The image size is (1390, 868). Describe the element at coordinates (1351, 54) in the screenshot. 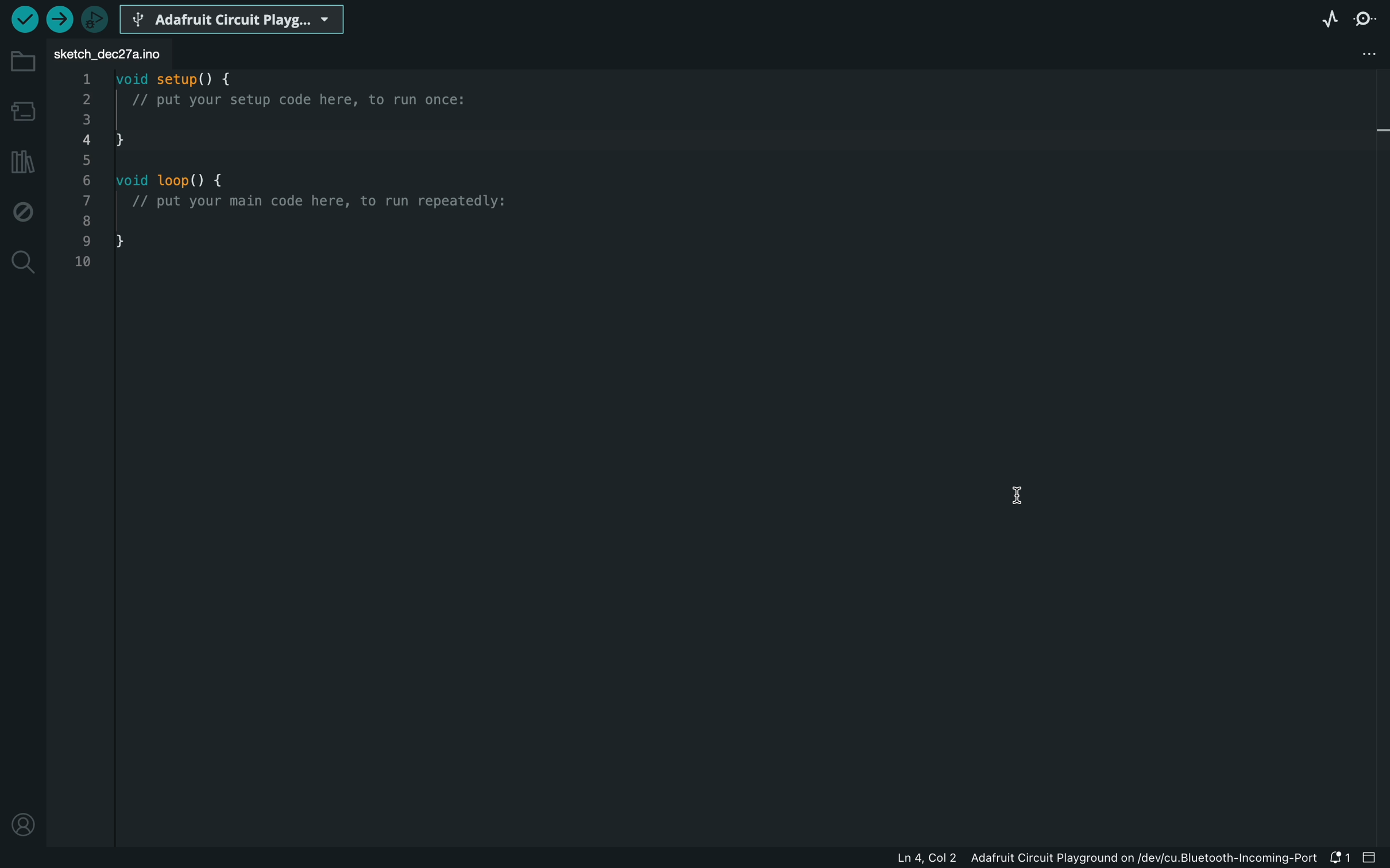

I see `file setting` at that location.